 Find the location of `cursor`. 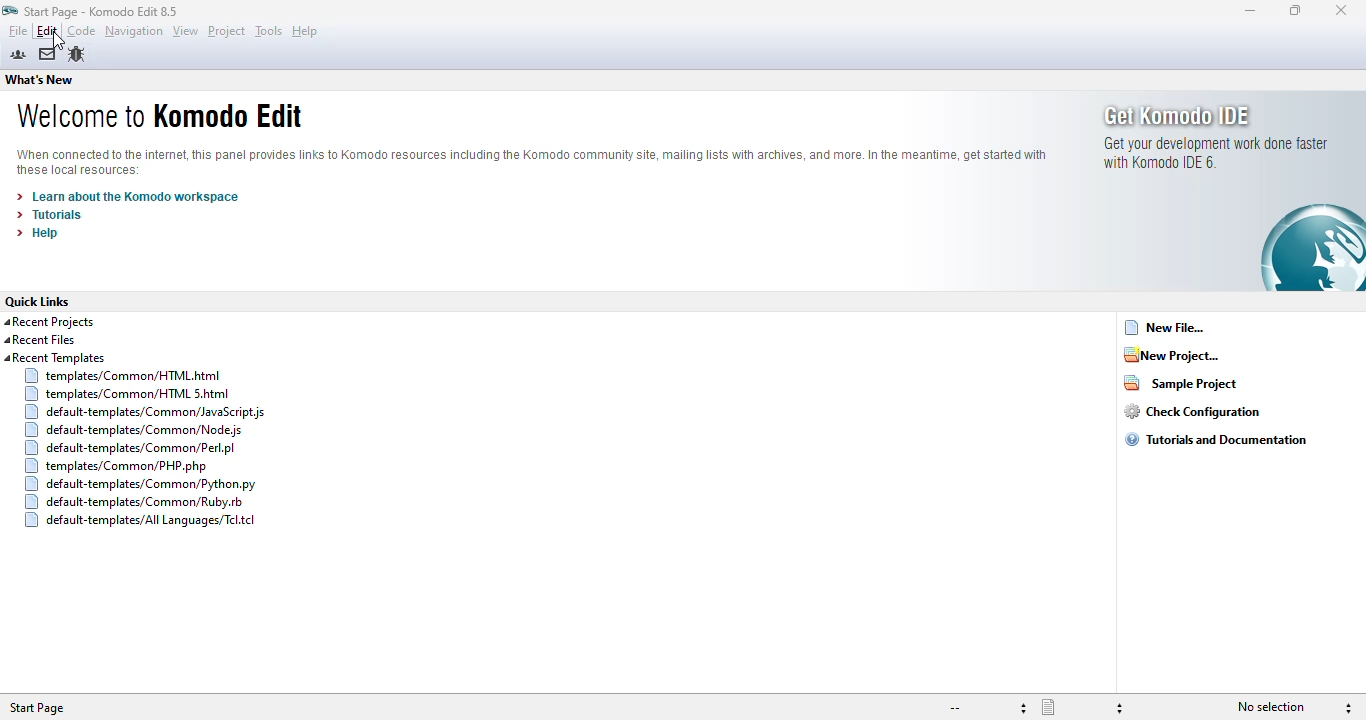

cursor is located at coordinates (58, 42).